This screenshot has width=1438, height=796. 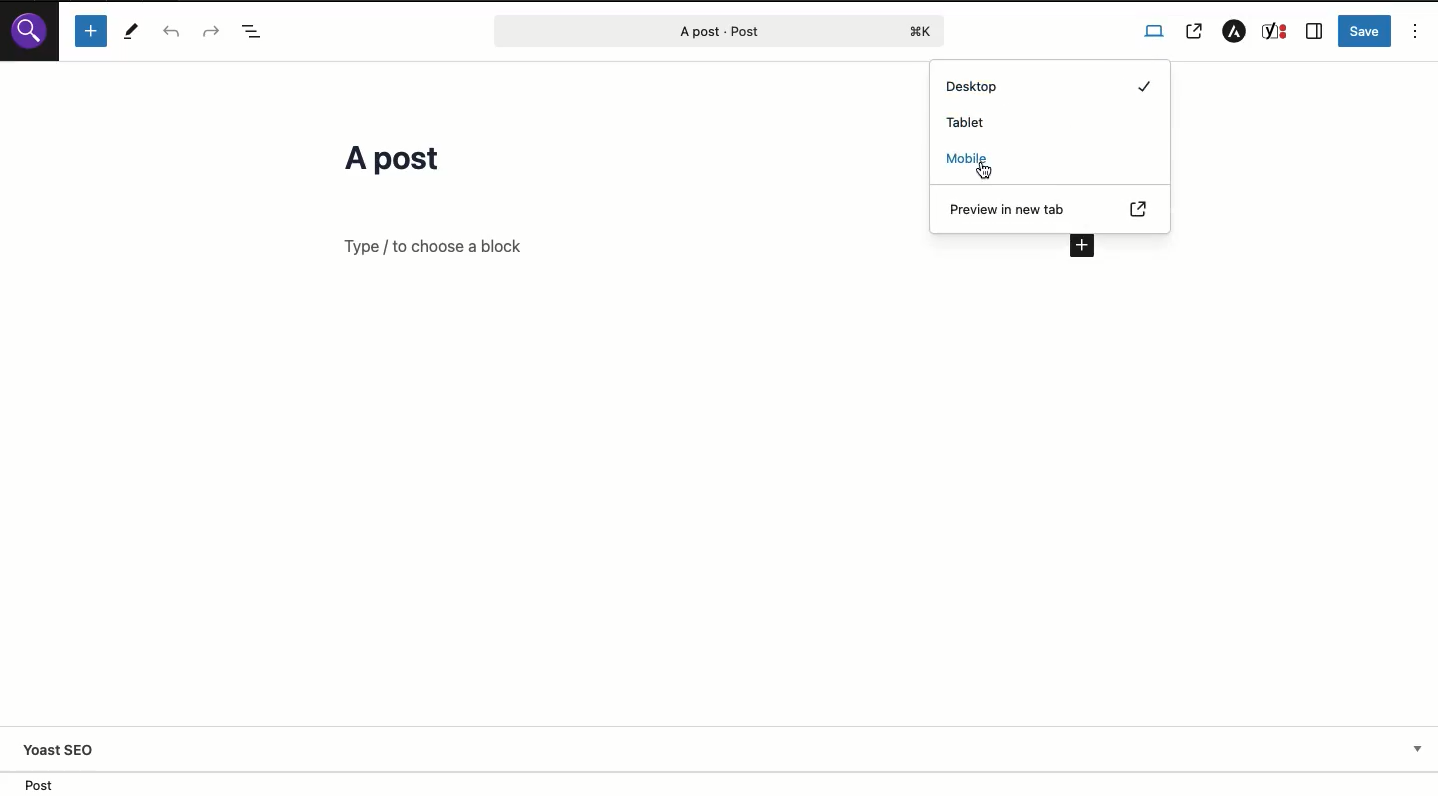 What do you see at coordinates (1051, 87) in the screenshot?
I see `Desktop` at bounding box center [1051, 87].